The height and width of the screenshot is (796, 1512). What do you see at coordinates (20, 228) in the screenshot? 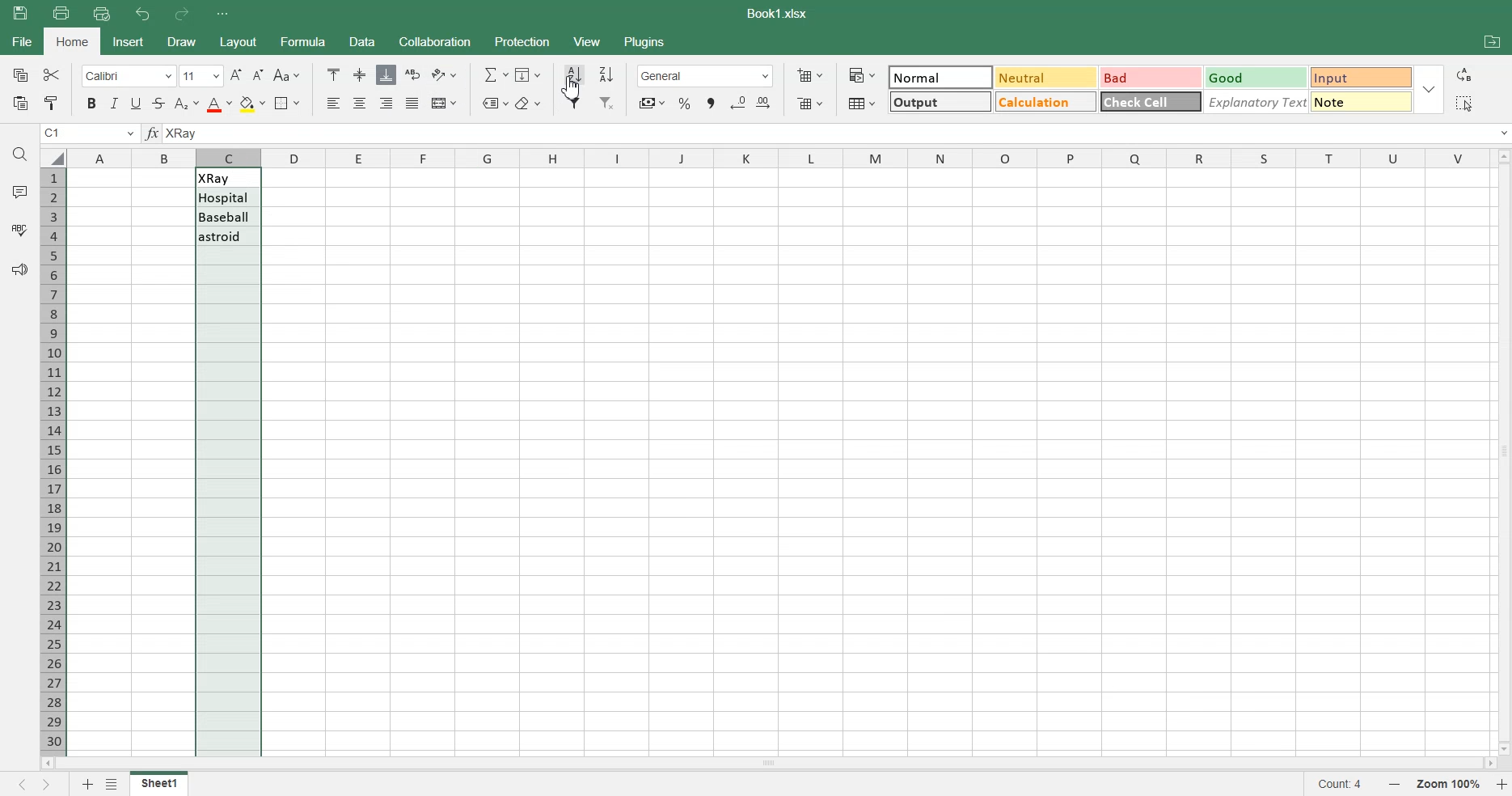
I see `Spelling Check ` at bounding box center [20, 228].